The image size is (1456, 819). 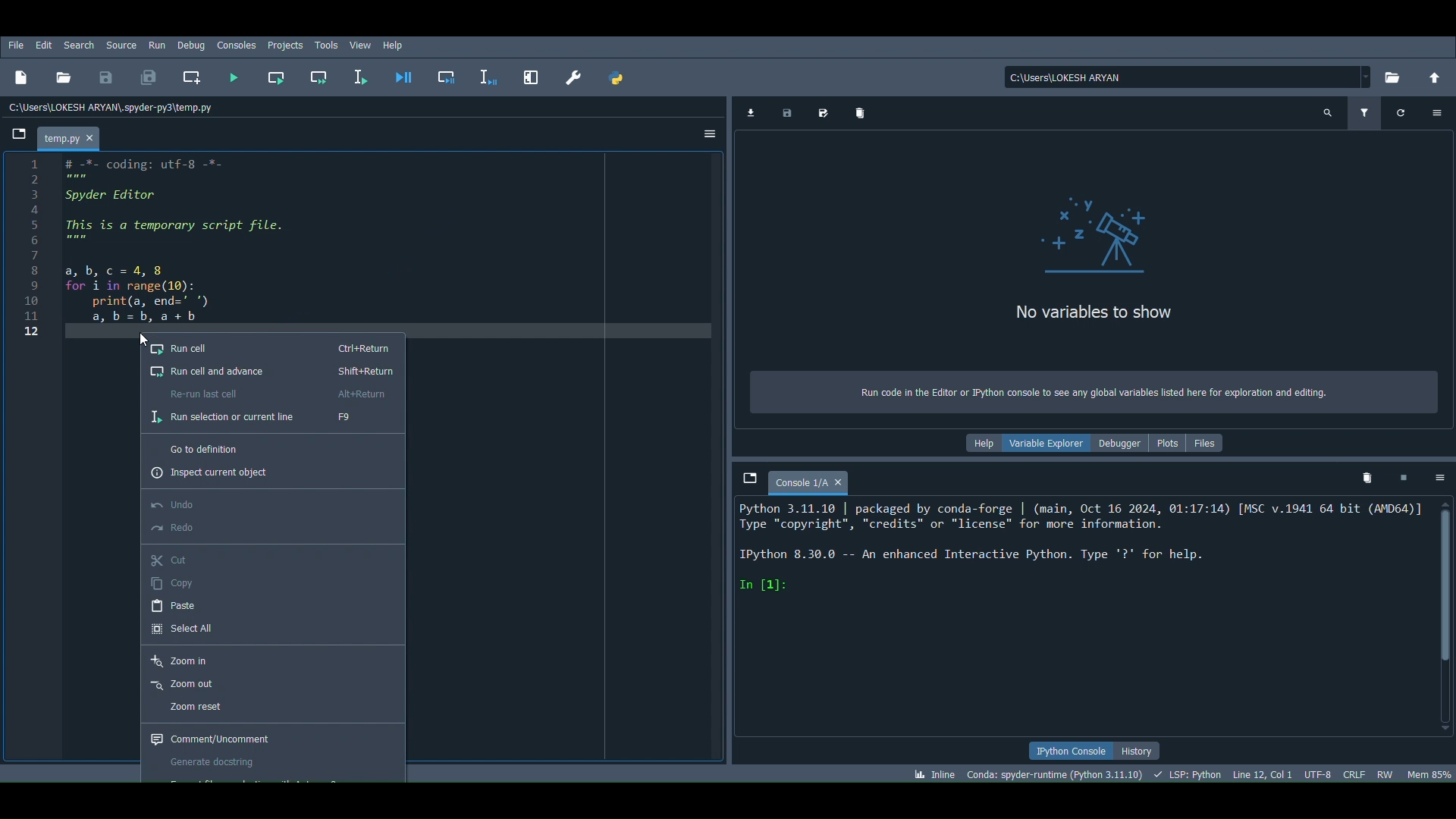 I want to click on File EOL Status, so click(x=1354, y=772).